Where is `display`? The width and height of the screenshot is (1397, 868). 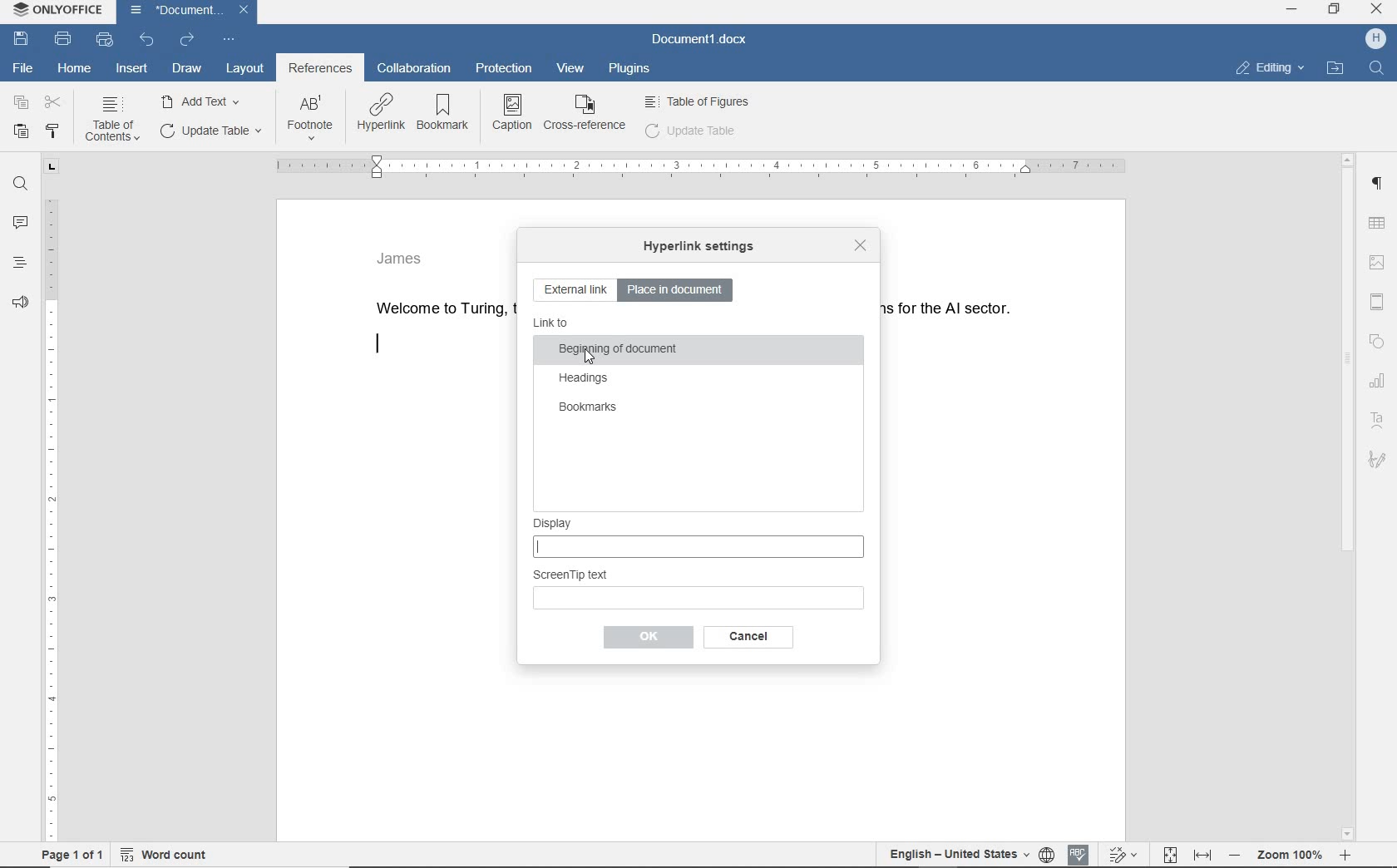 display is located at coordinates (698, 538).